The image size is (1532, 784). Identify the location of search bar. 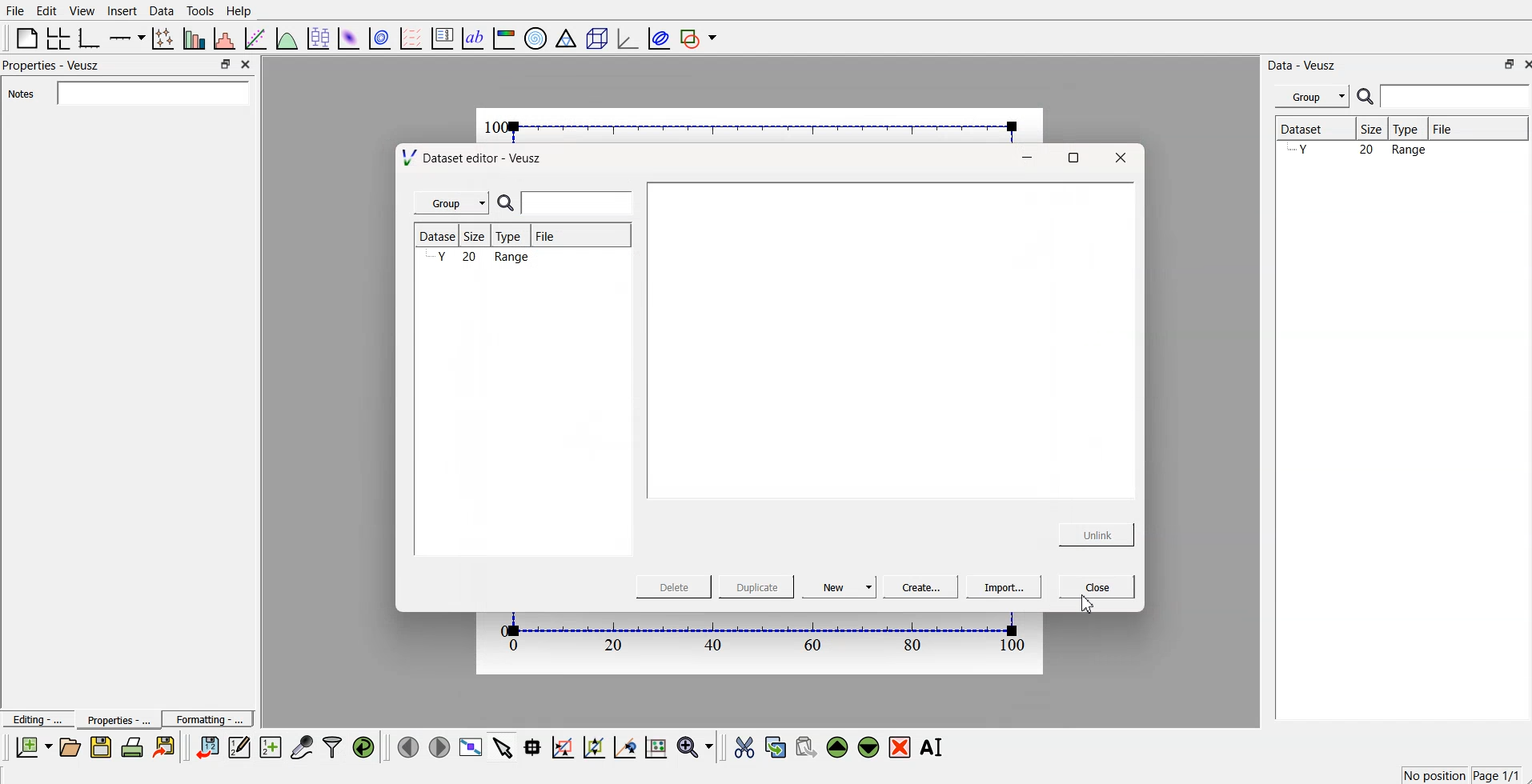
(585, 202).